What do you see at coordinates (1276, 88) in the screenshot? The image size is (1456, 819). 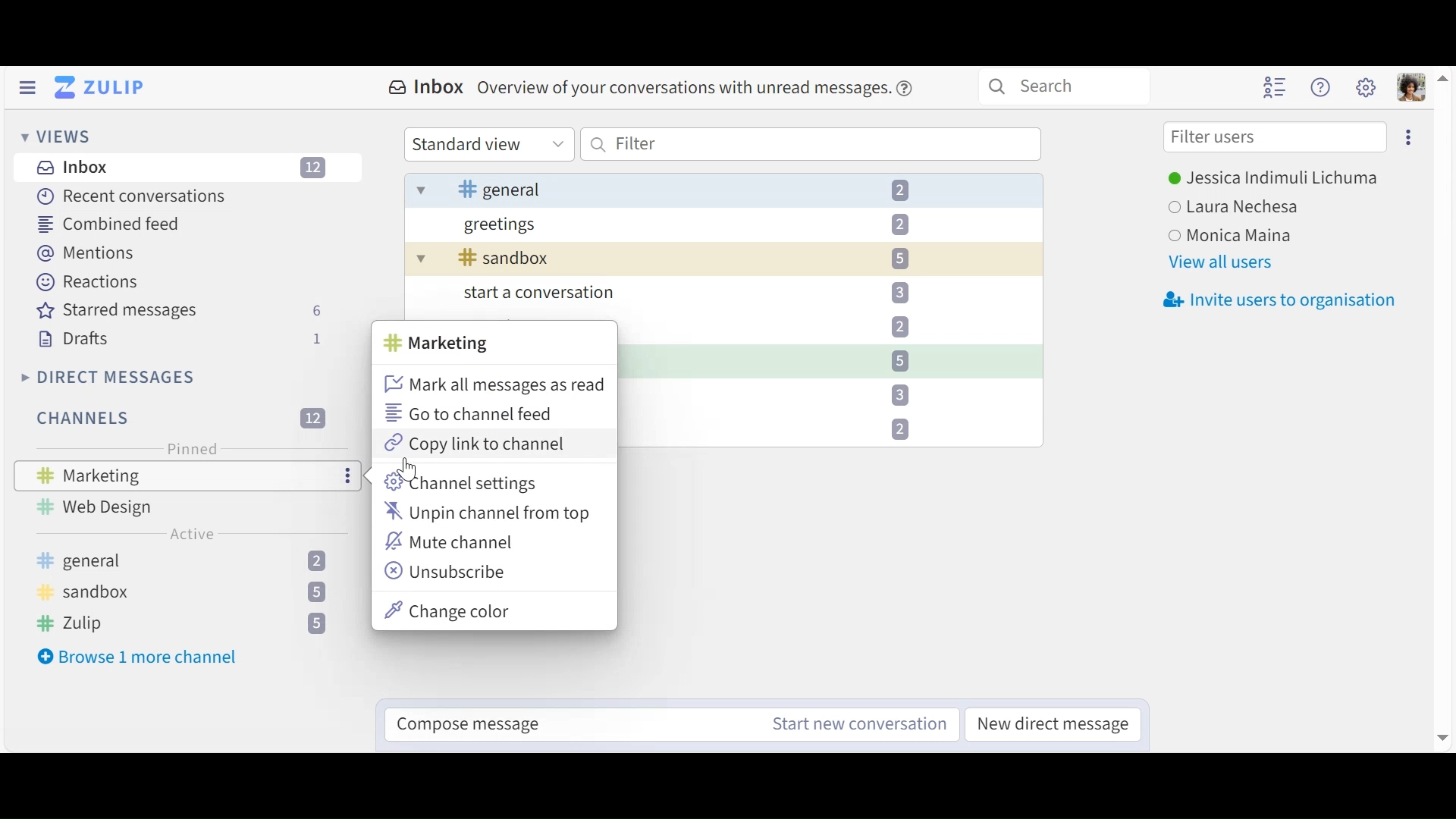 I see `Hide user list` at bounding box center [1276, 88].